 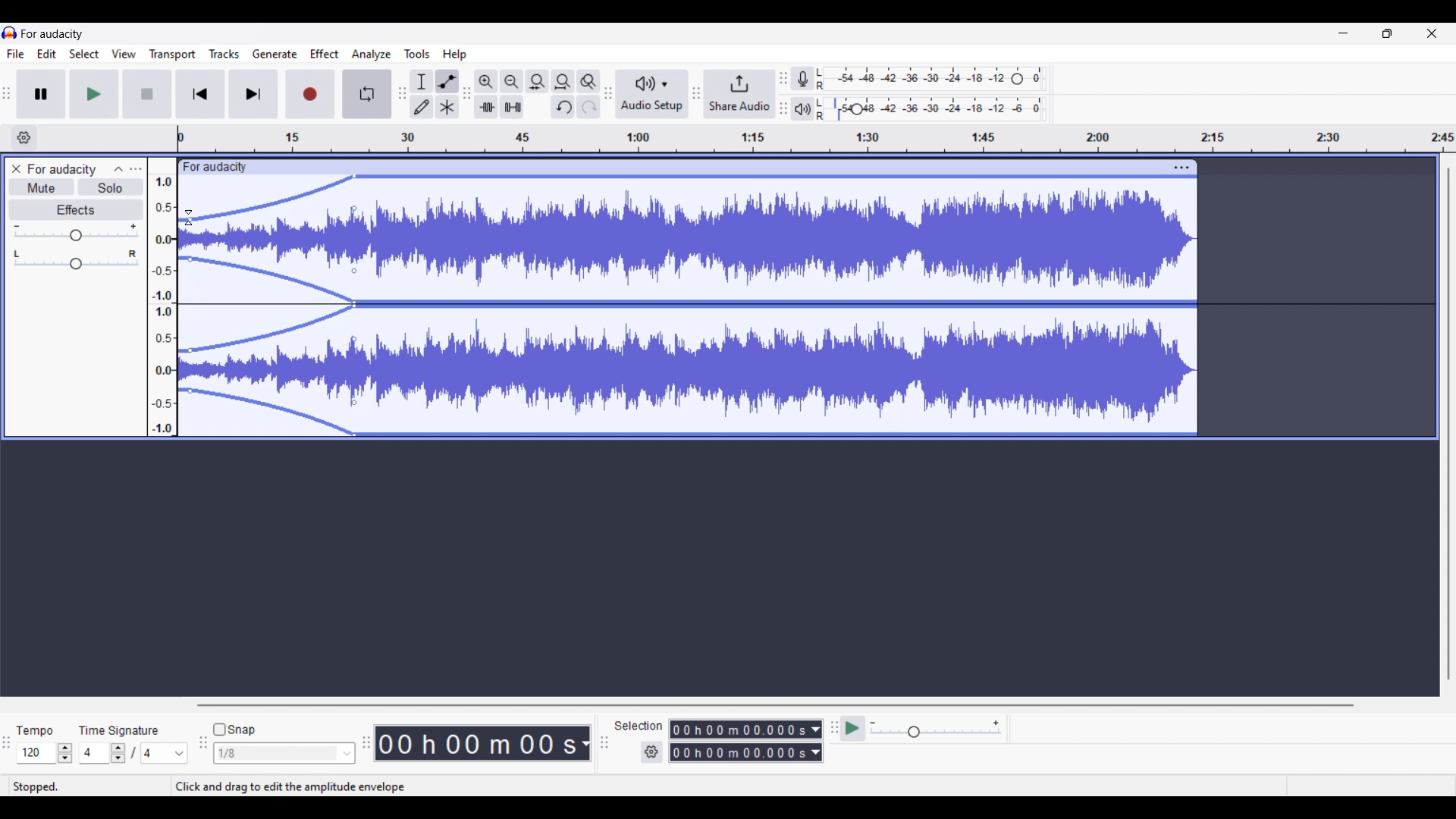 I want to click on for audacity, so click(x=62, y=169).